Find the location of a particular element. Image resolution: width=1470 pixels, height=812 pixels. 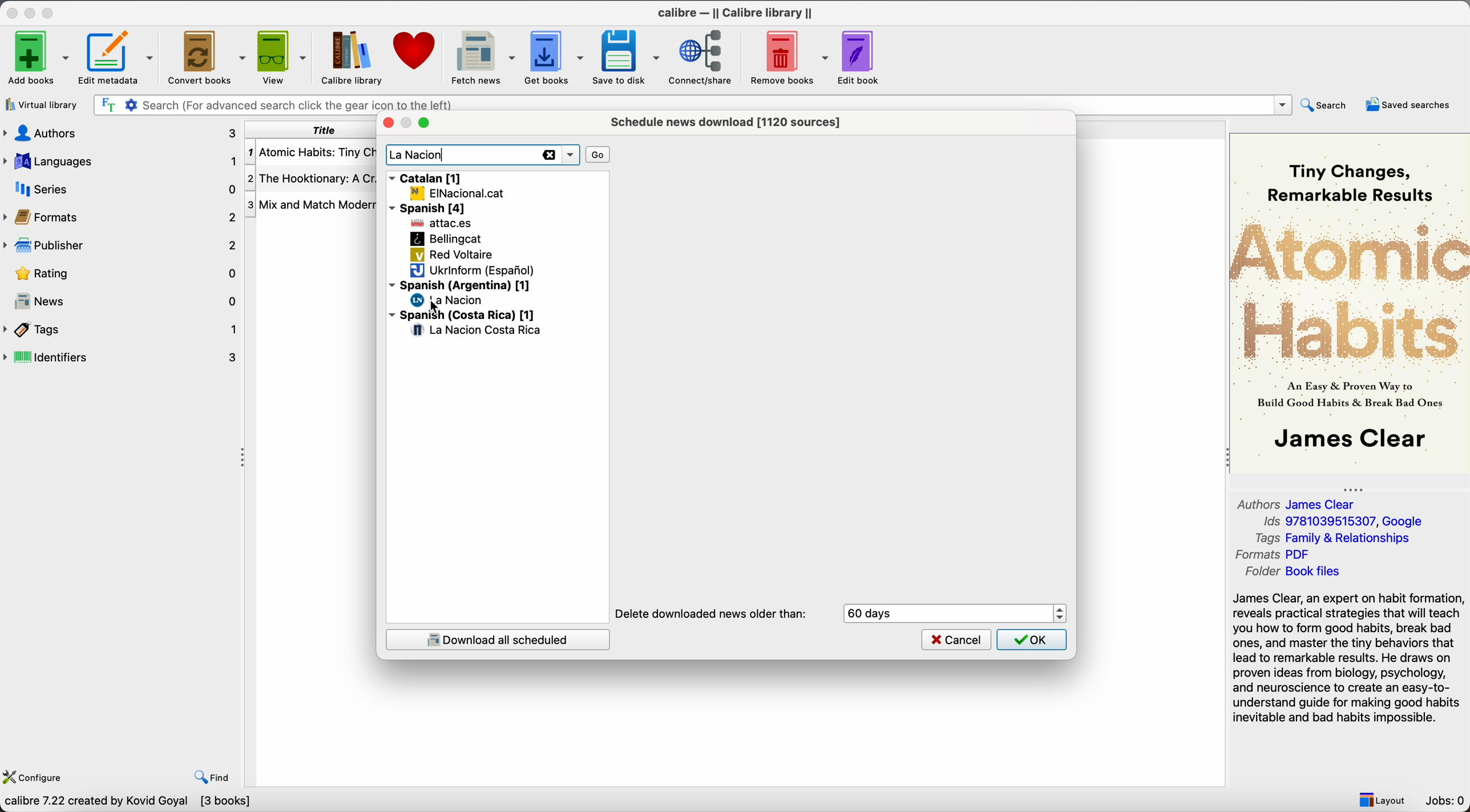

maximize popup is located at coordinates (423, 123).